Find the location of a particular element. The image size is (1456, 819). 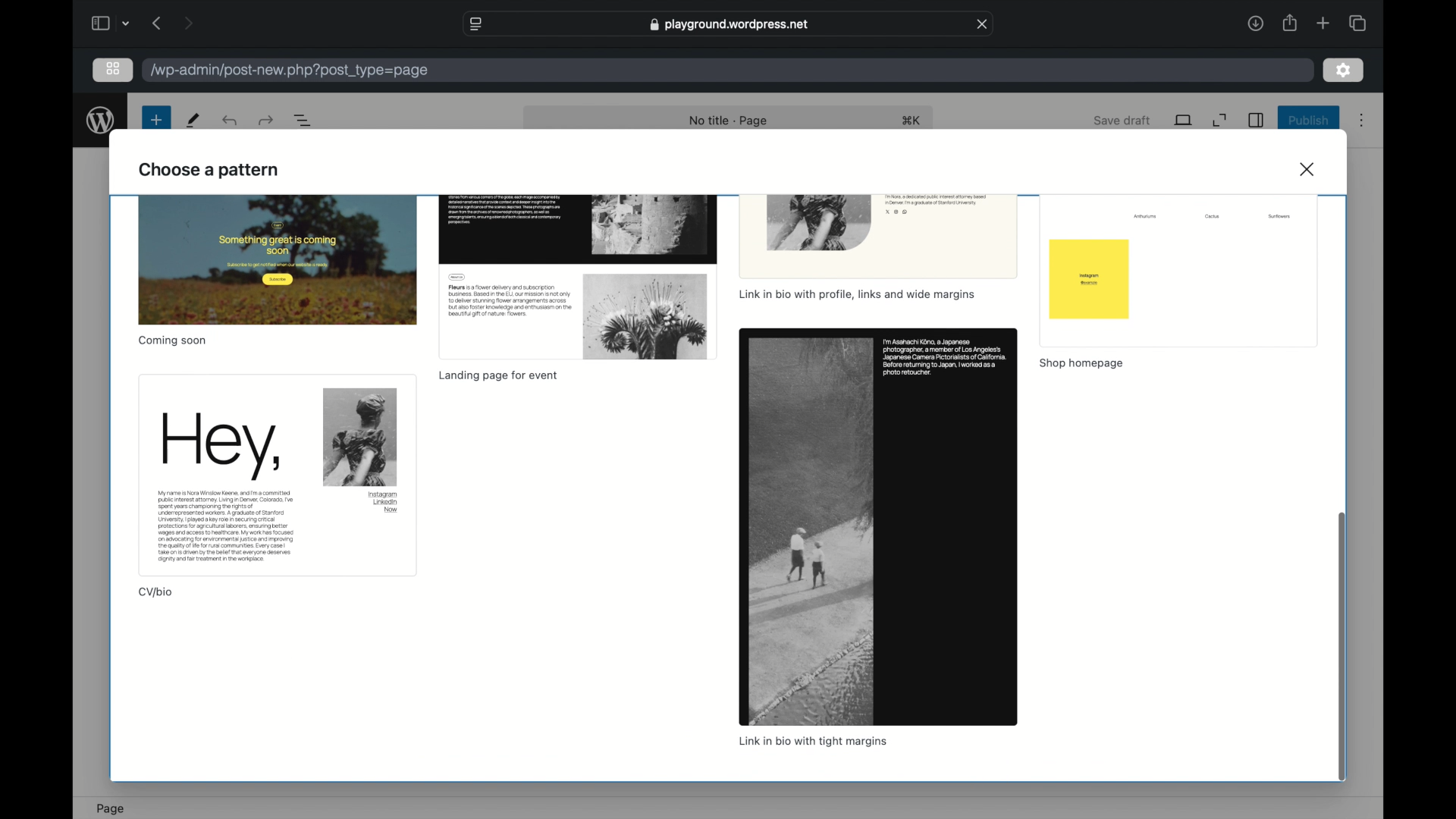

link in bio with profile is located at coordinates (855, 296).